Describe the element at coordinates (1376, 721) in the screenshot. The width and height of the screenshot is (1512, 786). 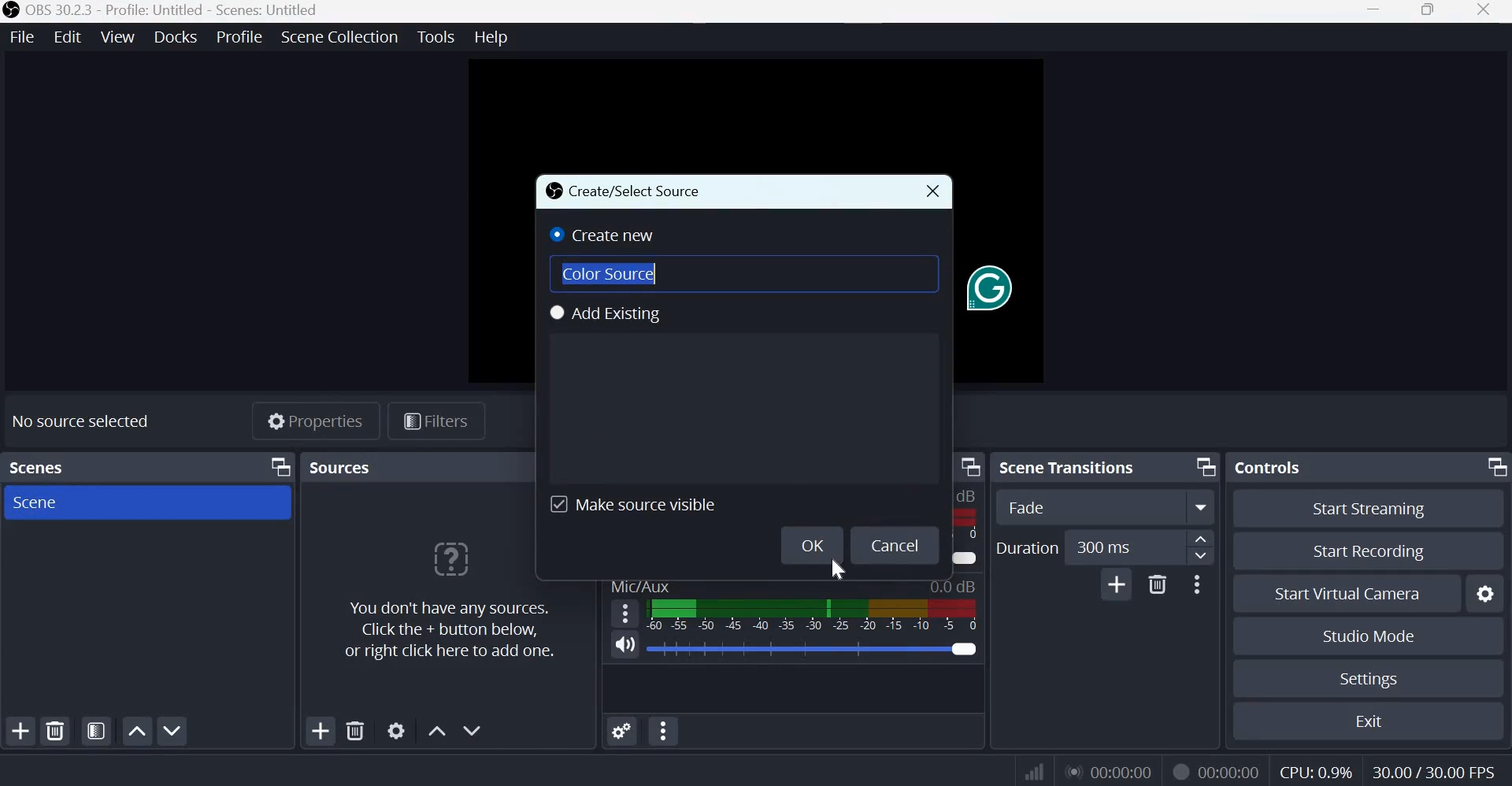
I see `Exit` at that location.